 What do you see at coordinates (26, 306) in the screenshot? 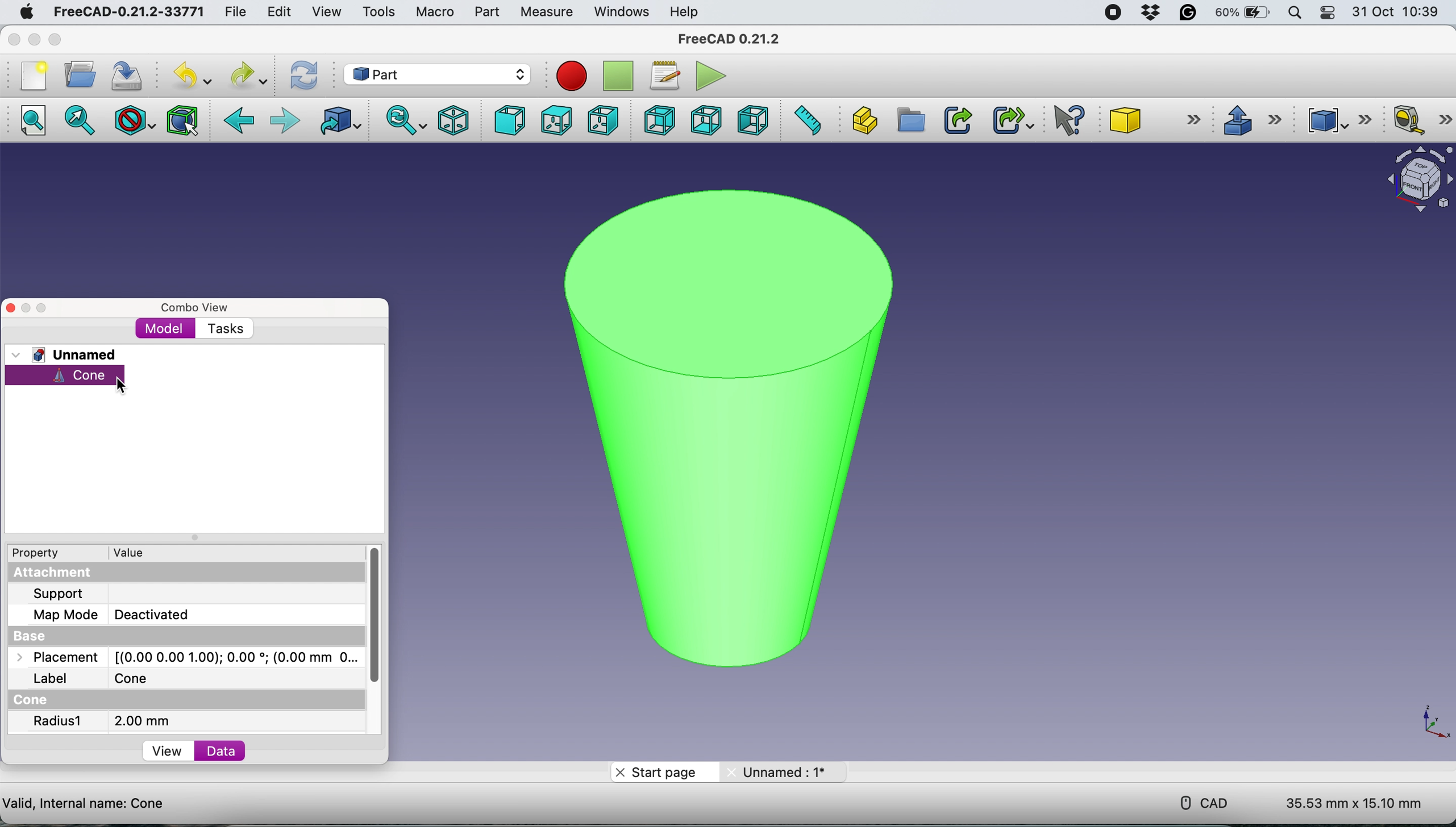
I see `minimise` at bounding box center [26, 306].